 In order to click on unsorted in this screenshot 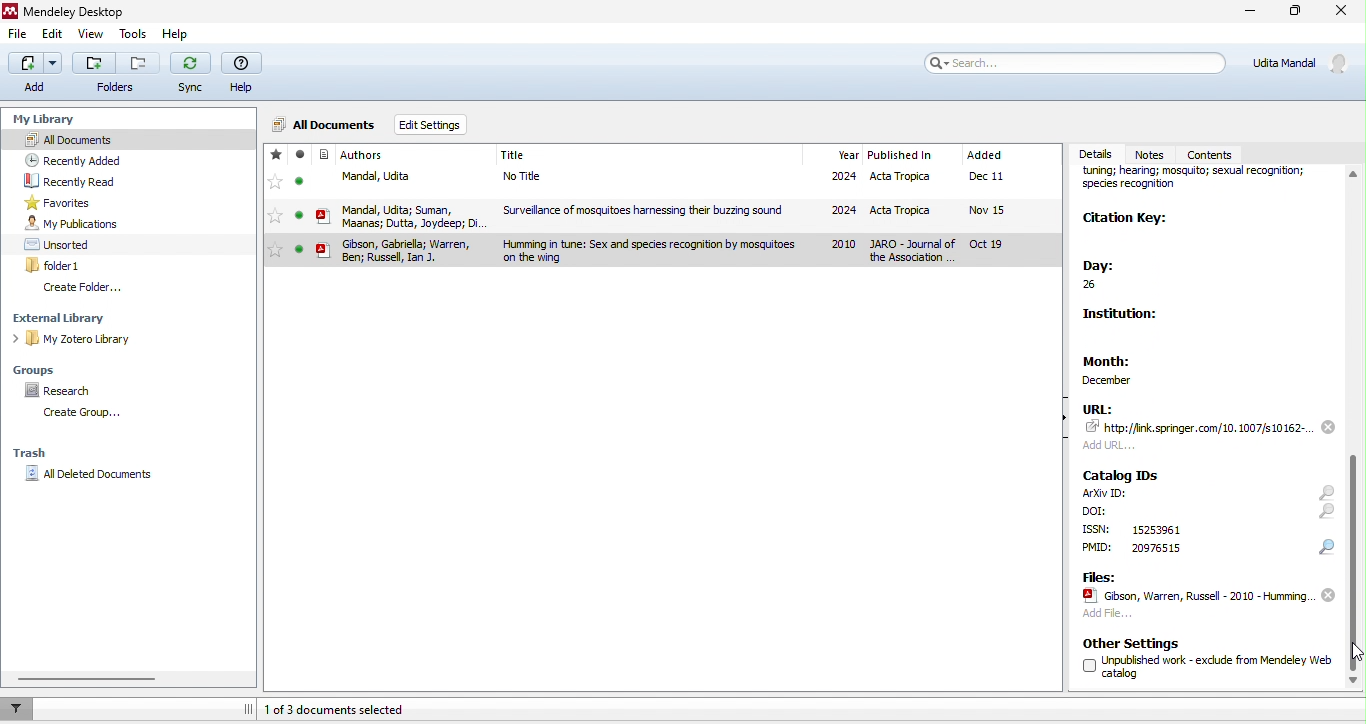, I will do `click(60, 244)`.